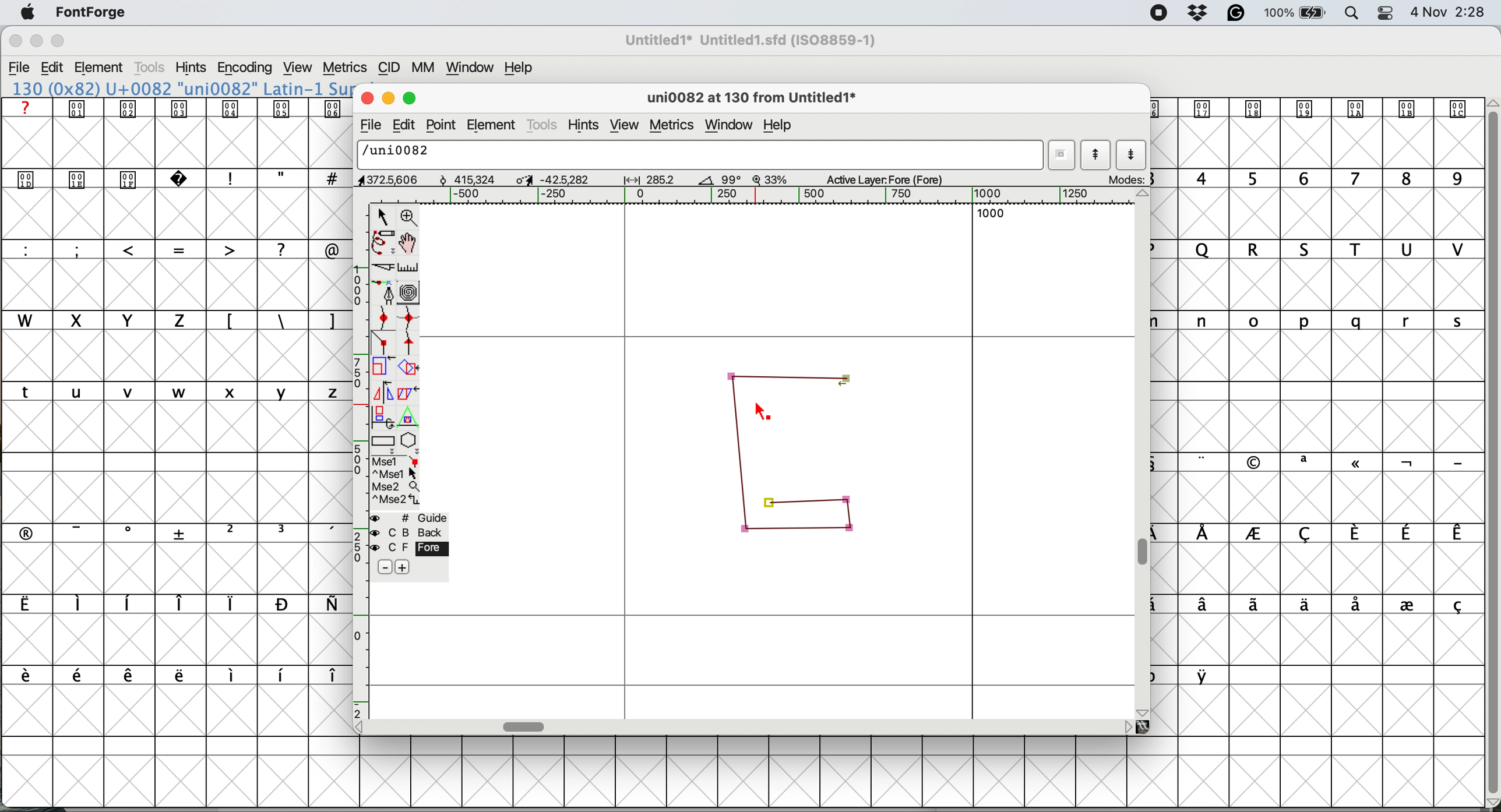 This screenshot has width=1501, height=812. I want to click on window, so click(472, 68).